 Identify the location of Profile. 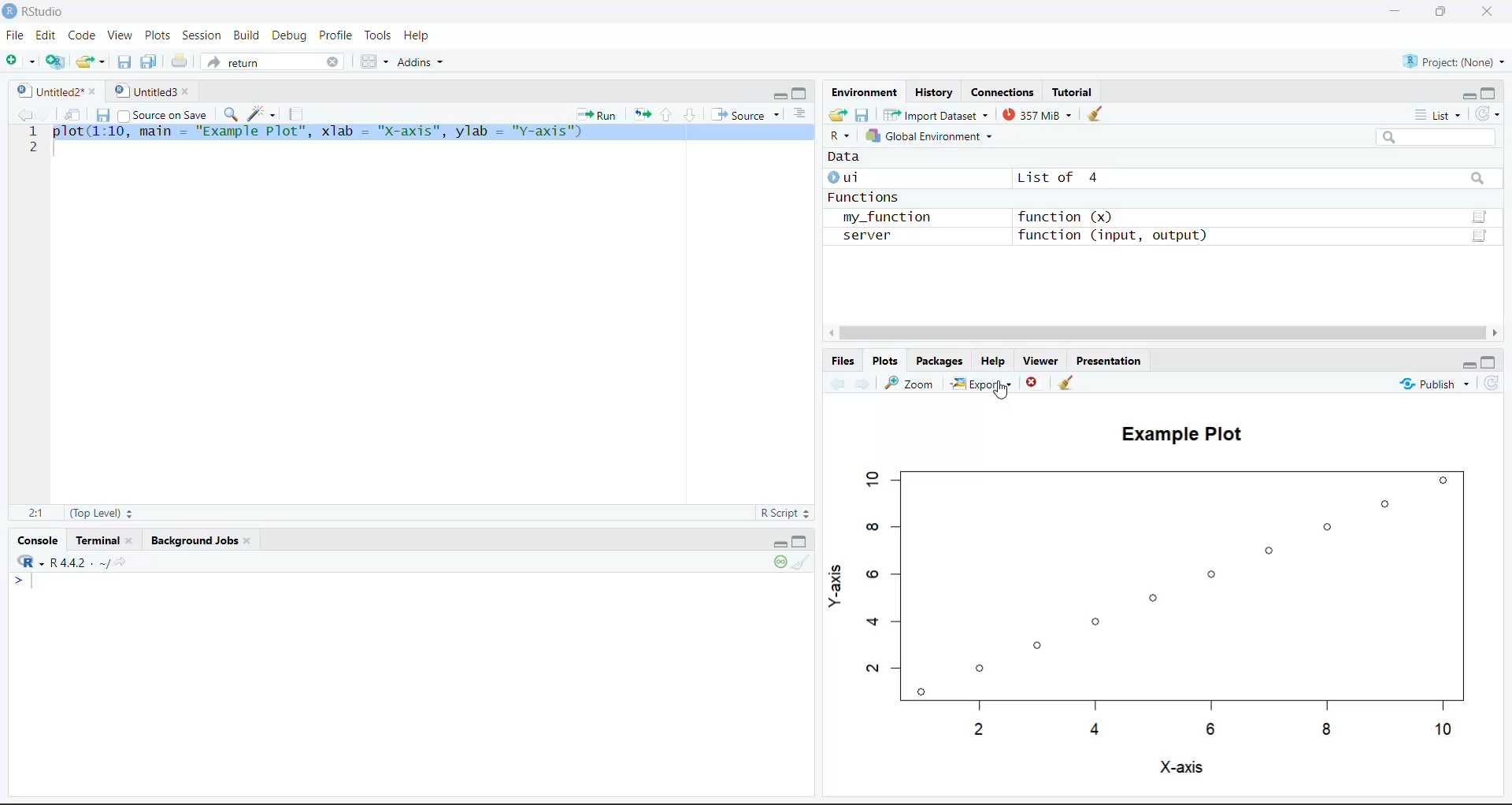
(338, 34).